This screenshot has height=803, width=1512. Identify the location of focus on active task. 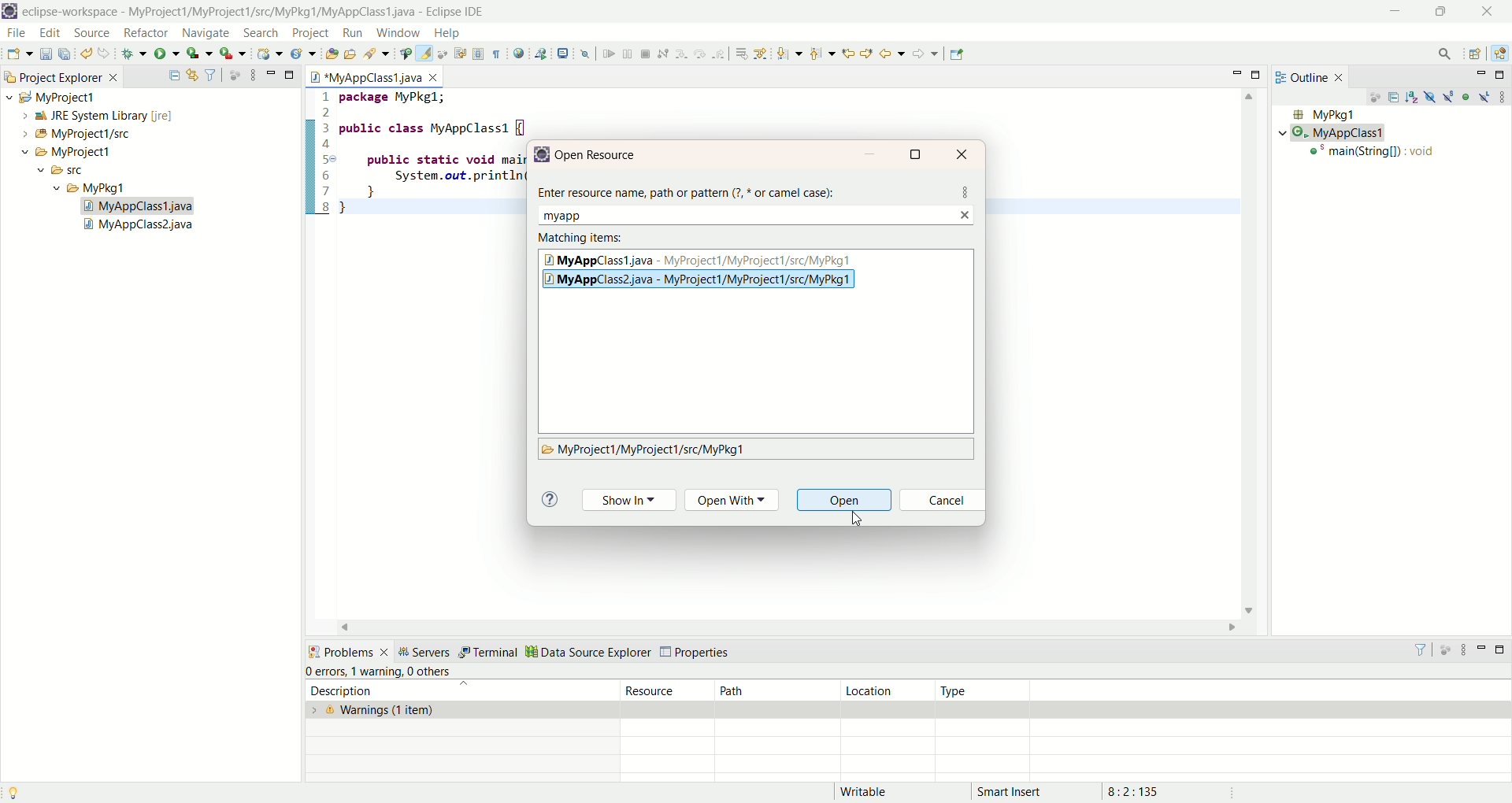
(235, 75).